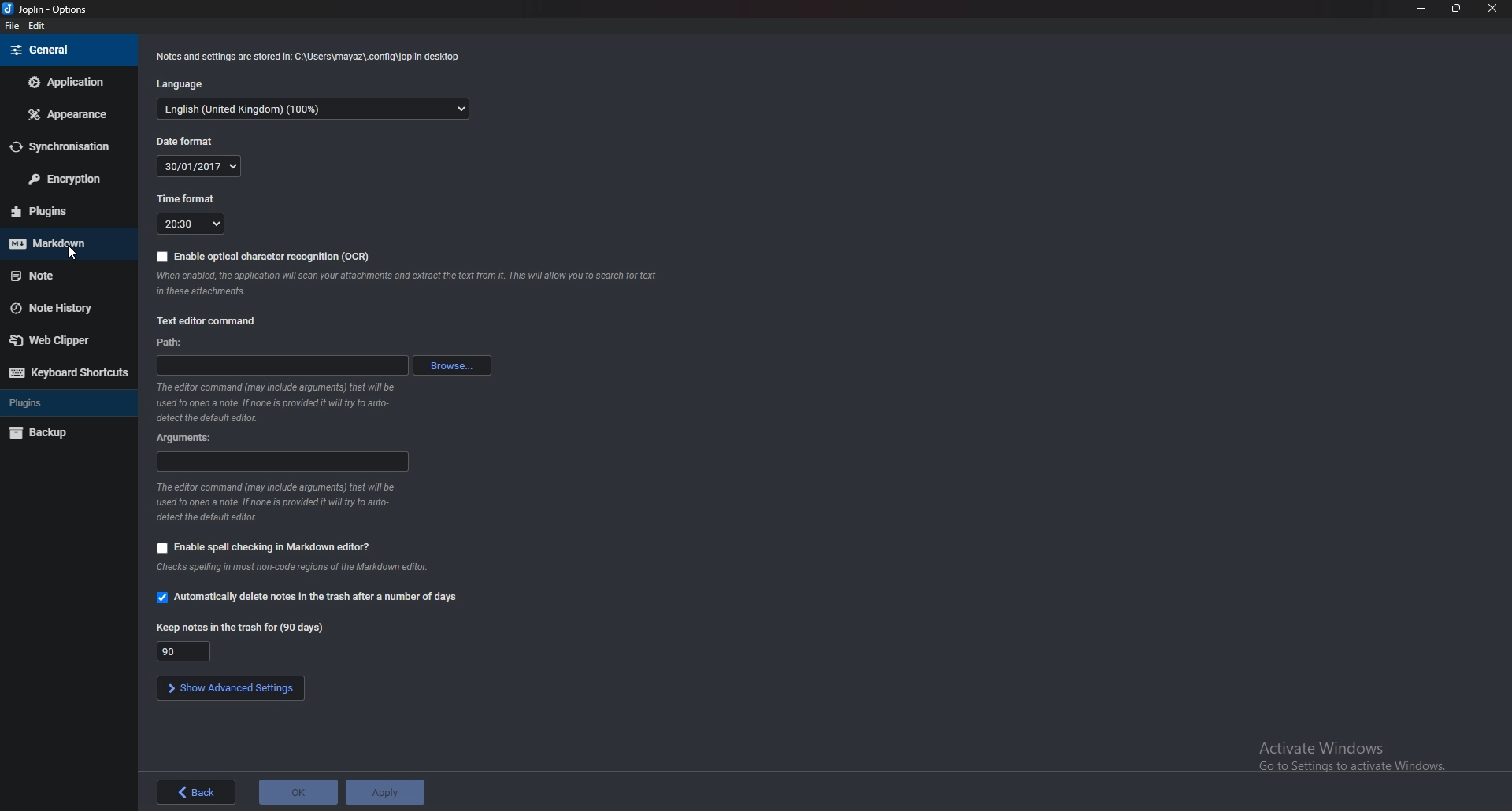 The height and width of the screenshot is (811, 1512). I want to click on Encryption, so click(69, 180).